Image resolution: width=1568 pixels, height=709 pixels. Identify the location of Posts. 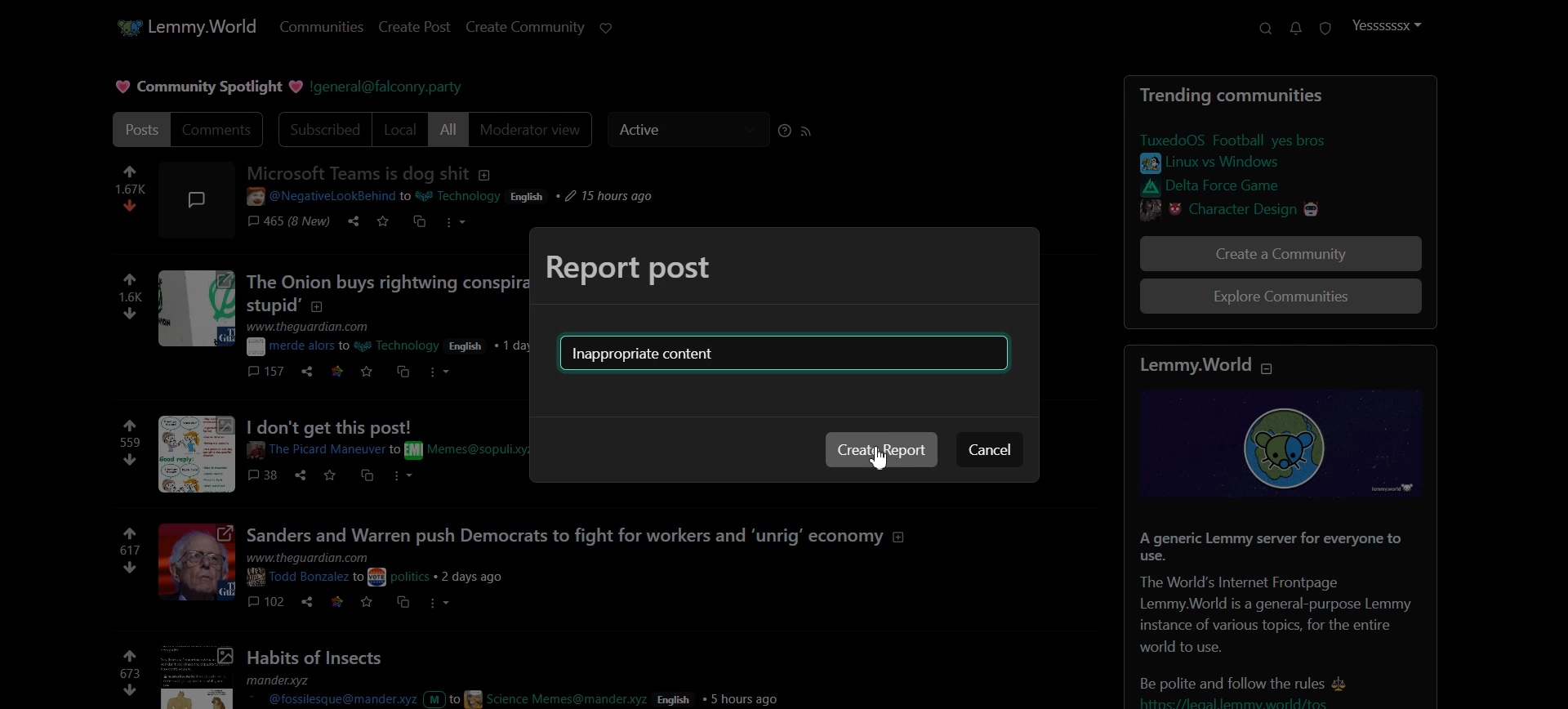
(670, 676).